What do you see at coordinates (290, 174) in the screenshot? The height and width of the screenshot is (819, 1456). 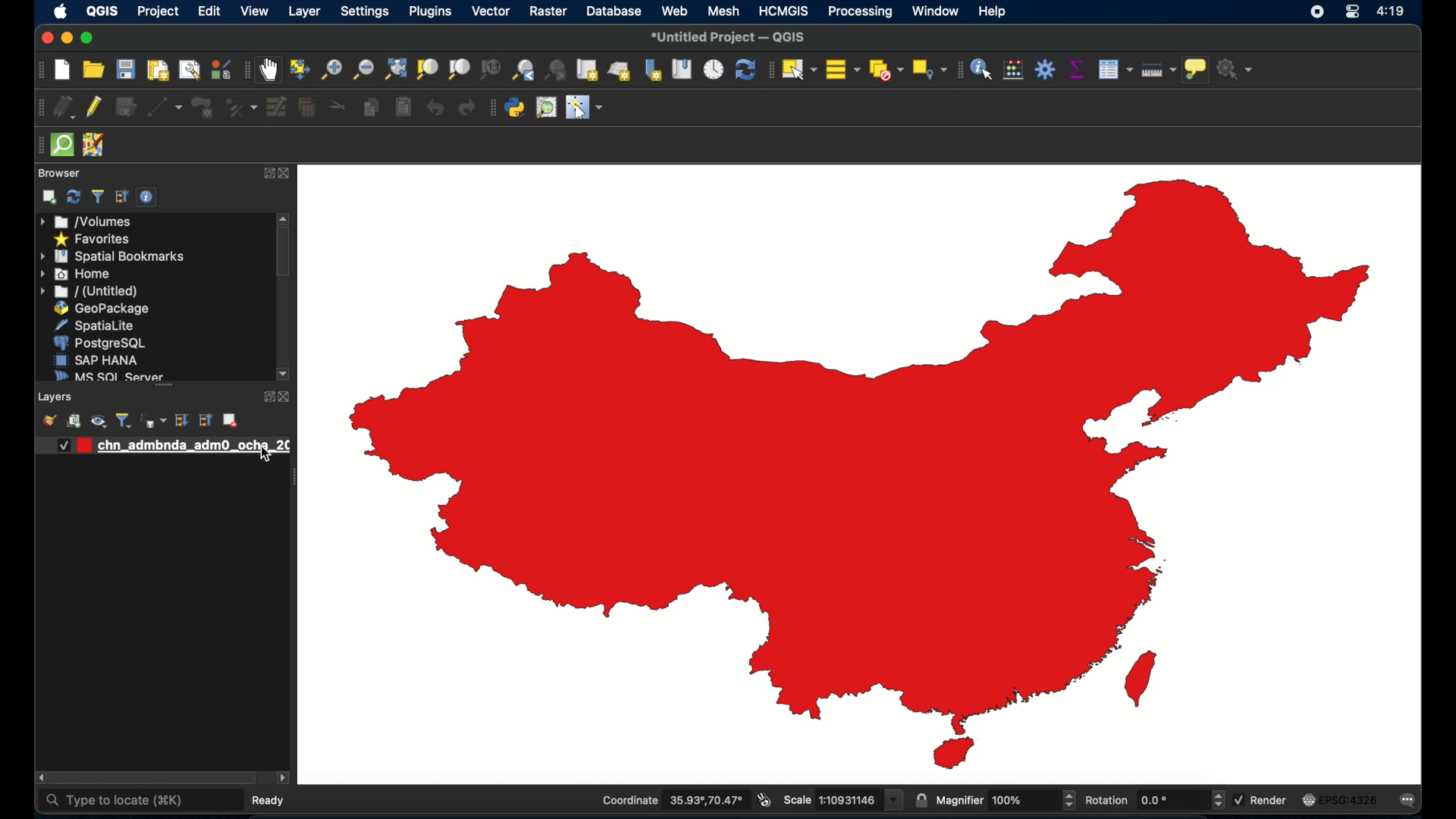 I see `close` at bounding box center [290, 174].